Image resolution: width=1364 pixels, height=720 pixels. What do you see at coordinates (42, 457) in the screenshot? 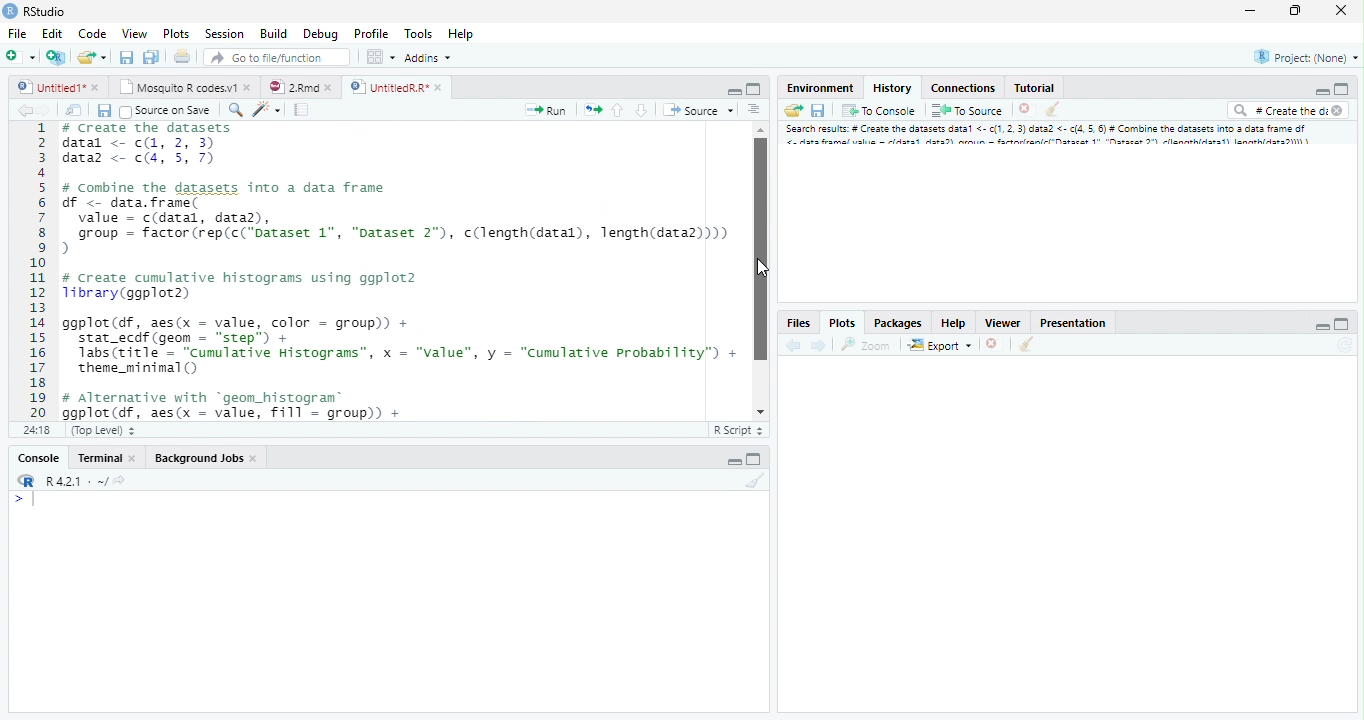
I see `Console` at bounding box center [42, 457].